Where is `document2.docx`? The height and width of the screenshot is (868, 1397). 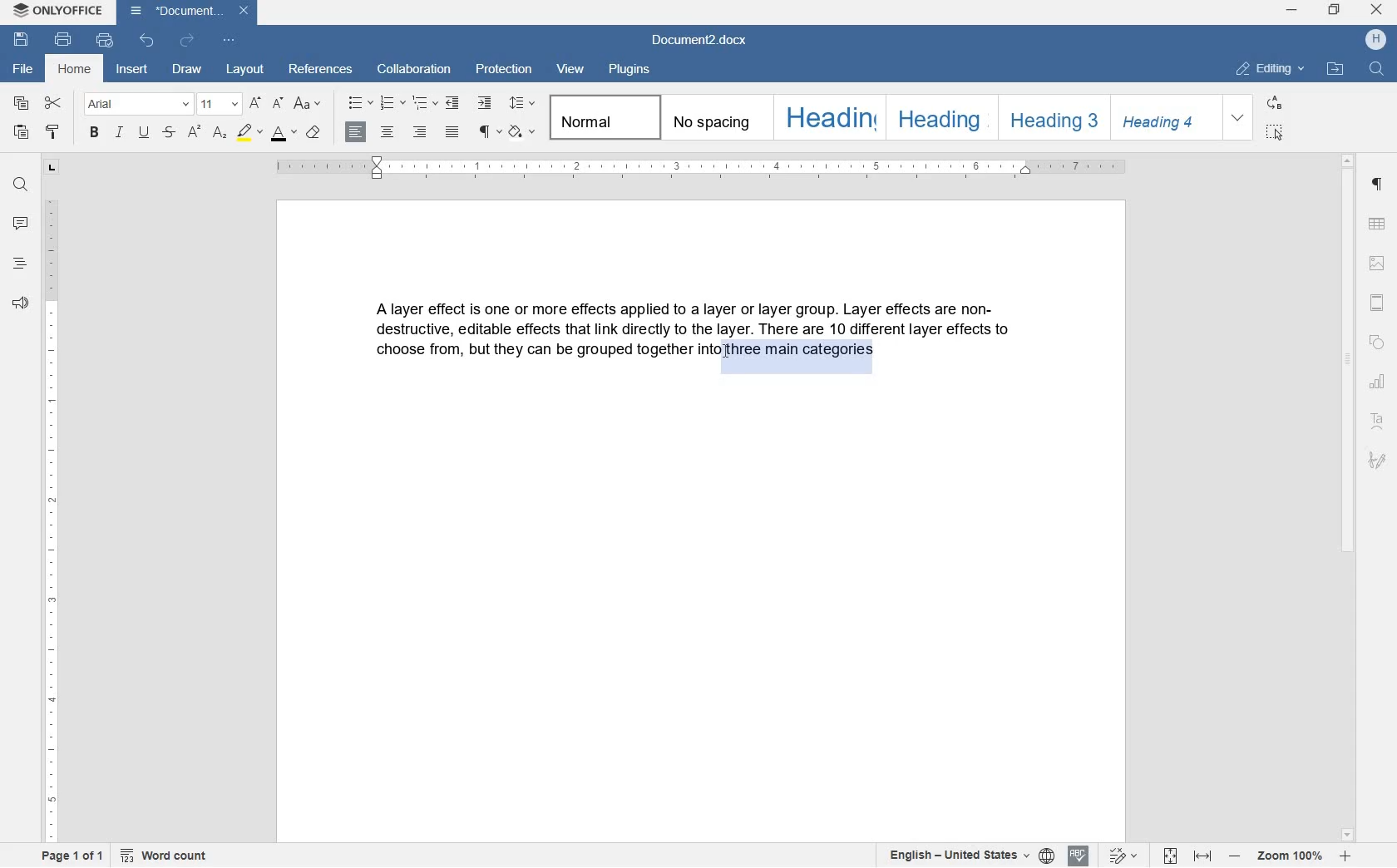
document2.docx is located at coordinates (702, 42).